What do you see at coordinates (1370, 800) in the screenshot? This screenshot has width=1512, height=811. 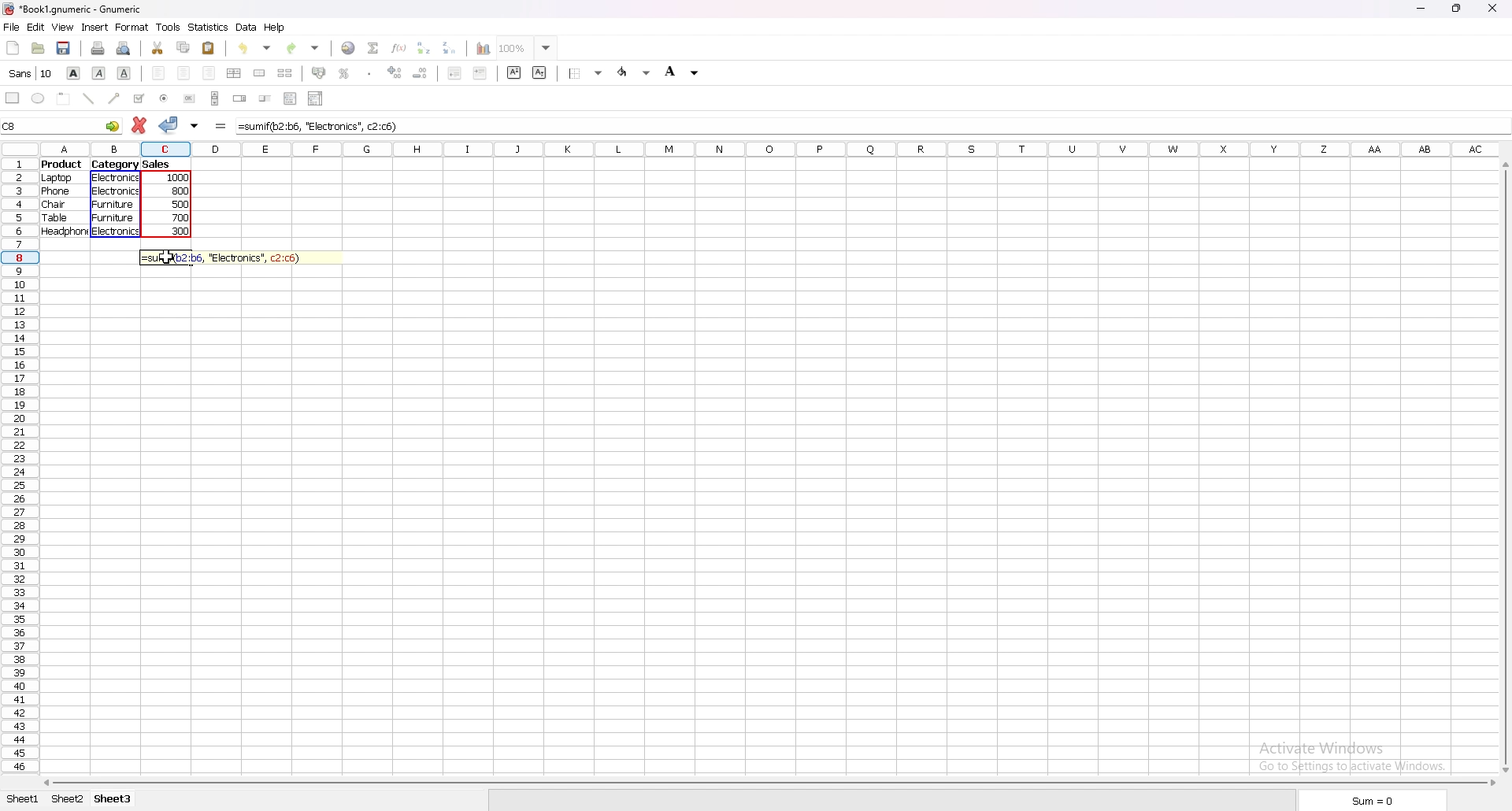 I see `sum` at bounding box center [1370, 800].